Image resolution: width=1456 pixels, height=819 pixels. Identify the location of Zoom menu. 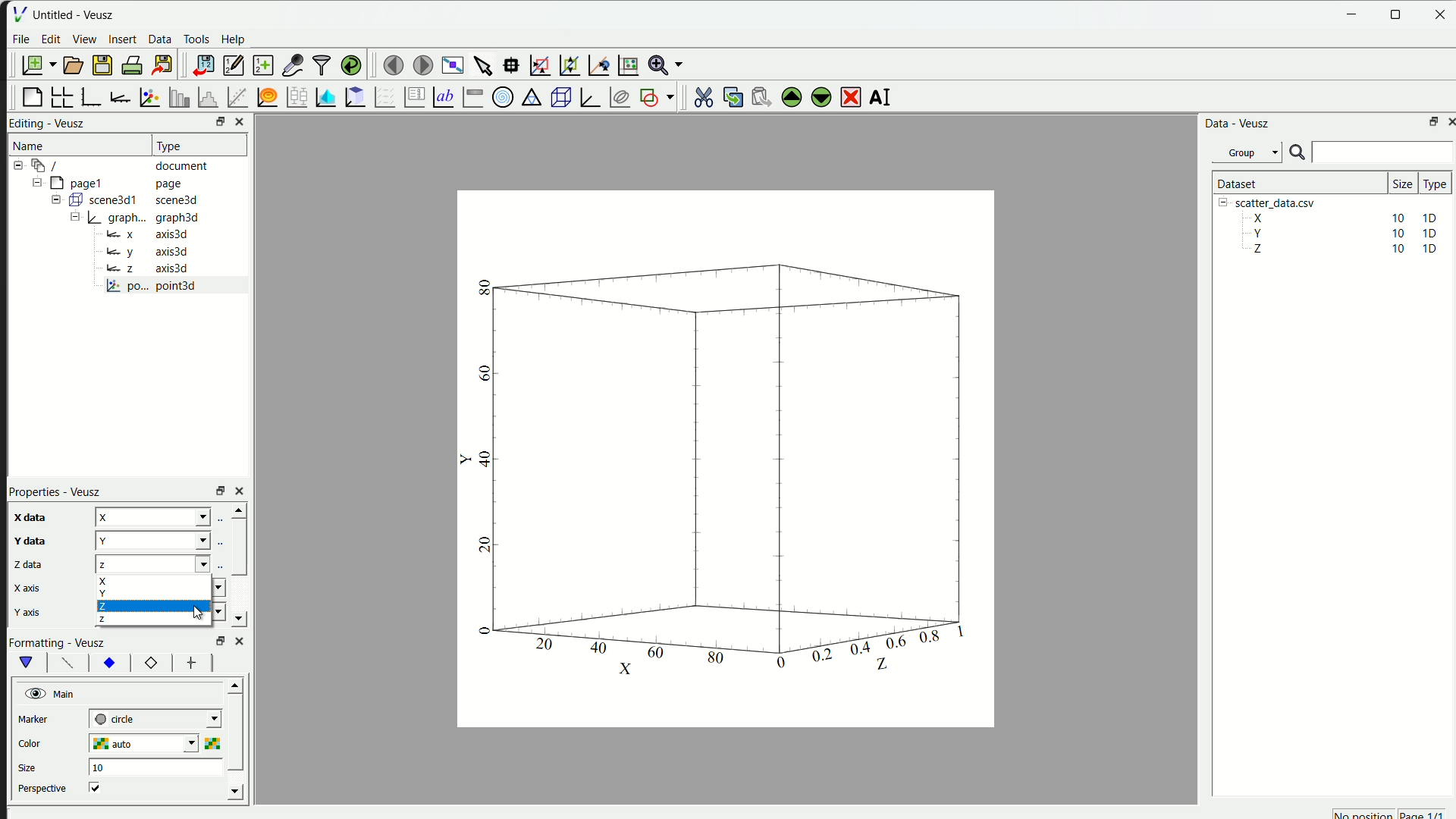
(664, 64).